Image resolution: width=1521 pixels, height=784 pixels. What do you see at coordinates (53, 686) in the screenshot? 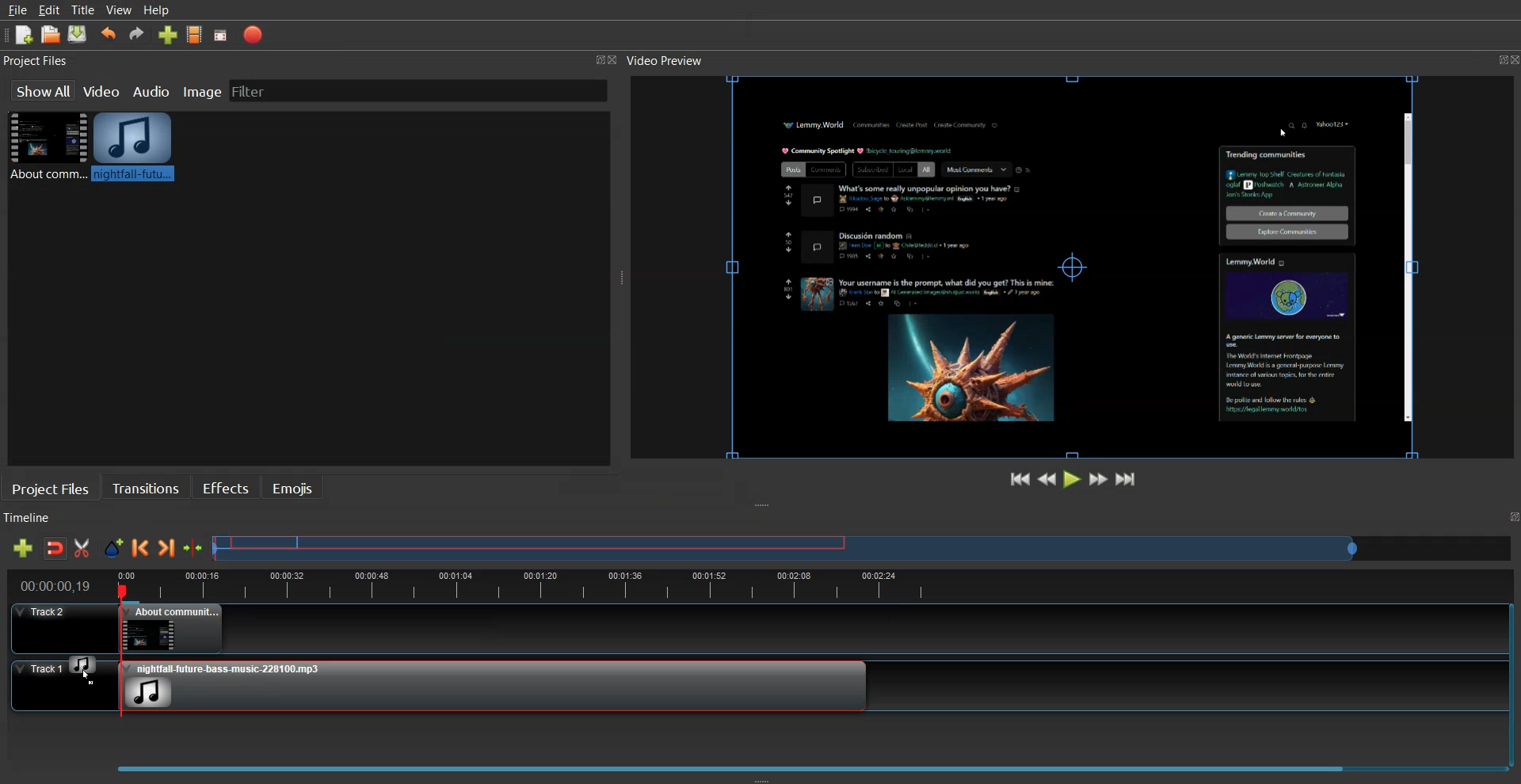
I see `Track 1` at bounding box center [53, 686].